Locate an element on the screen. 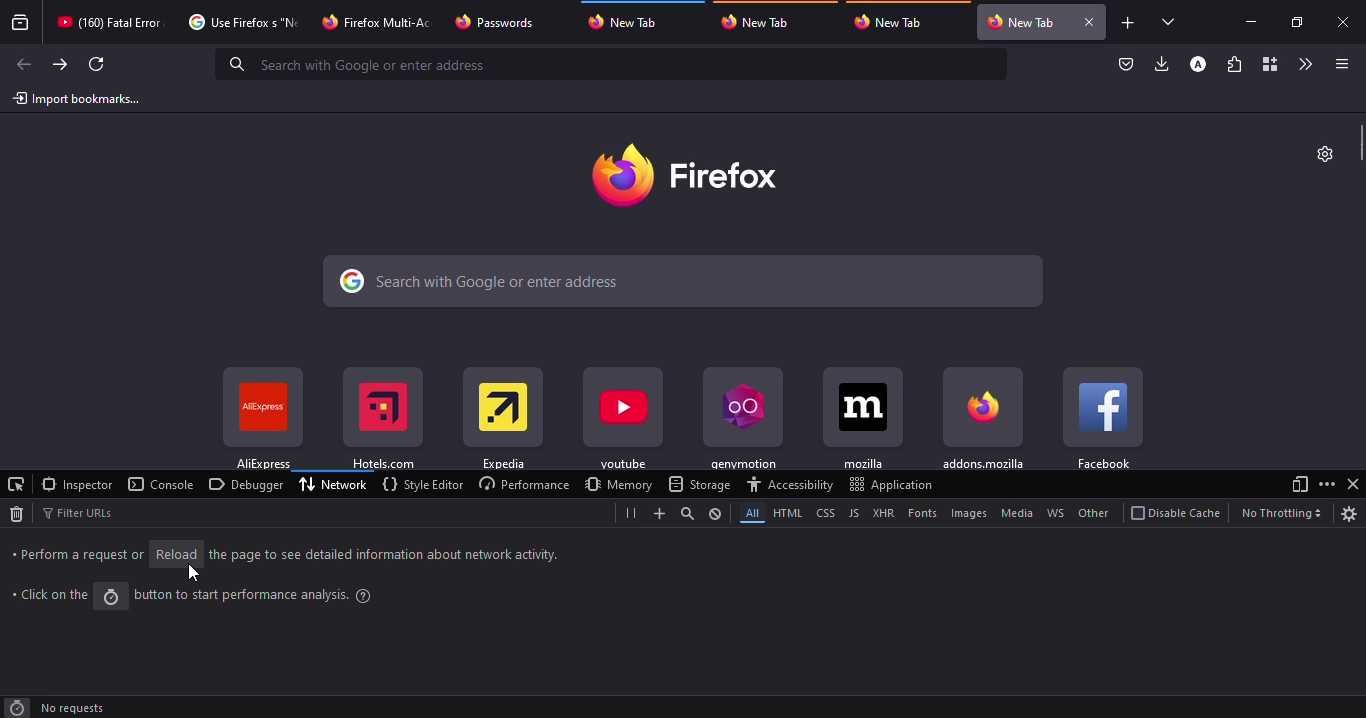  info is located at coordinates (78, 555).